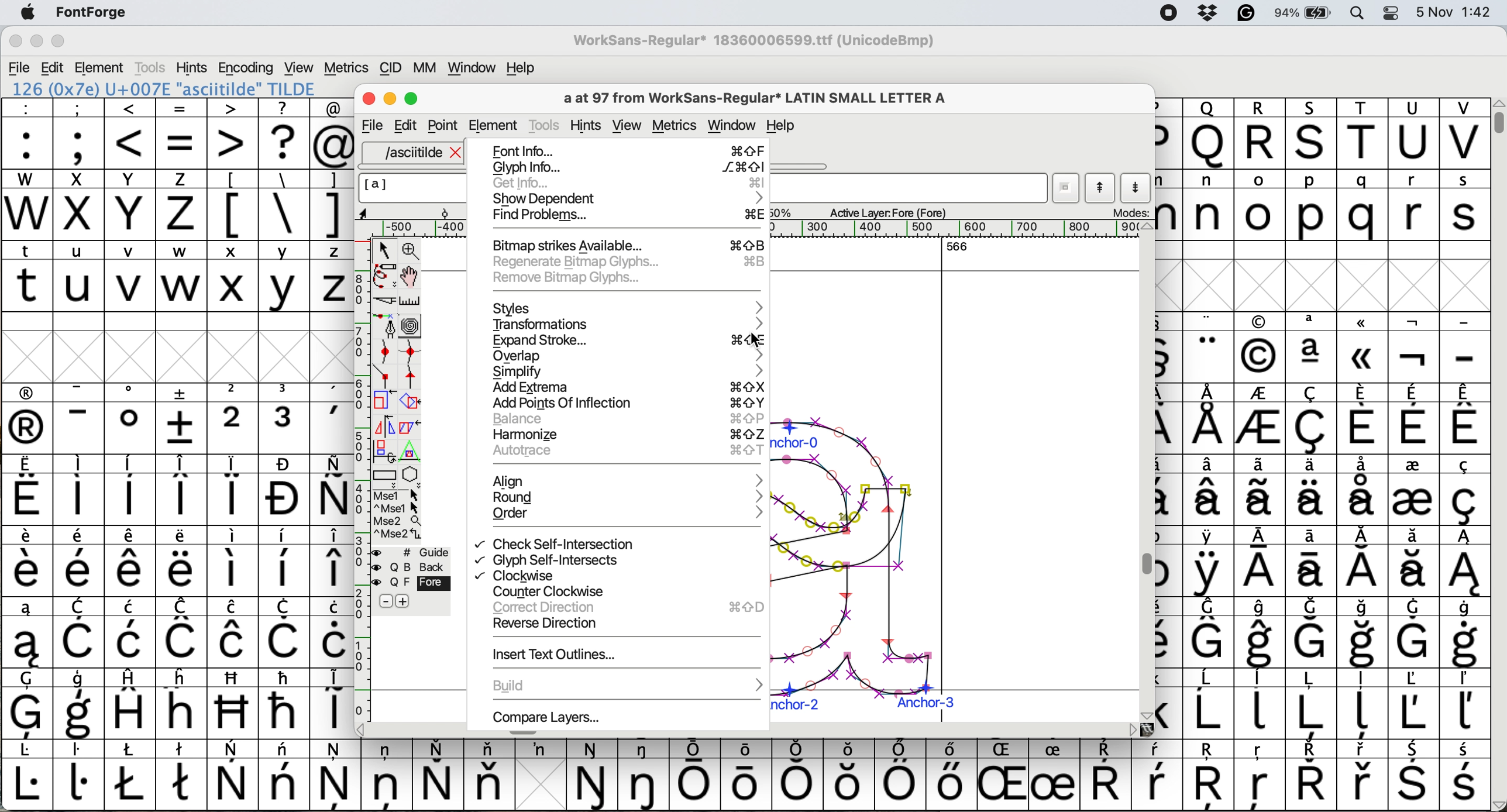  What do you see at coordinates (398, 514) in the screenshot?
I see `more options` at bounding box center [398, 514].